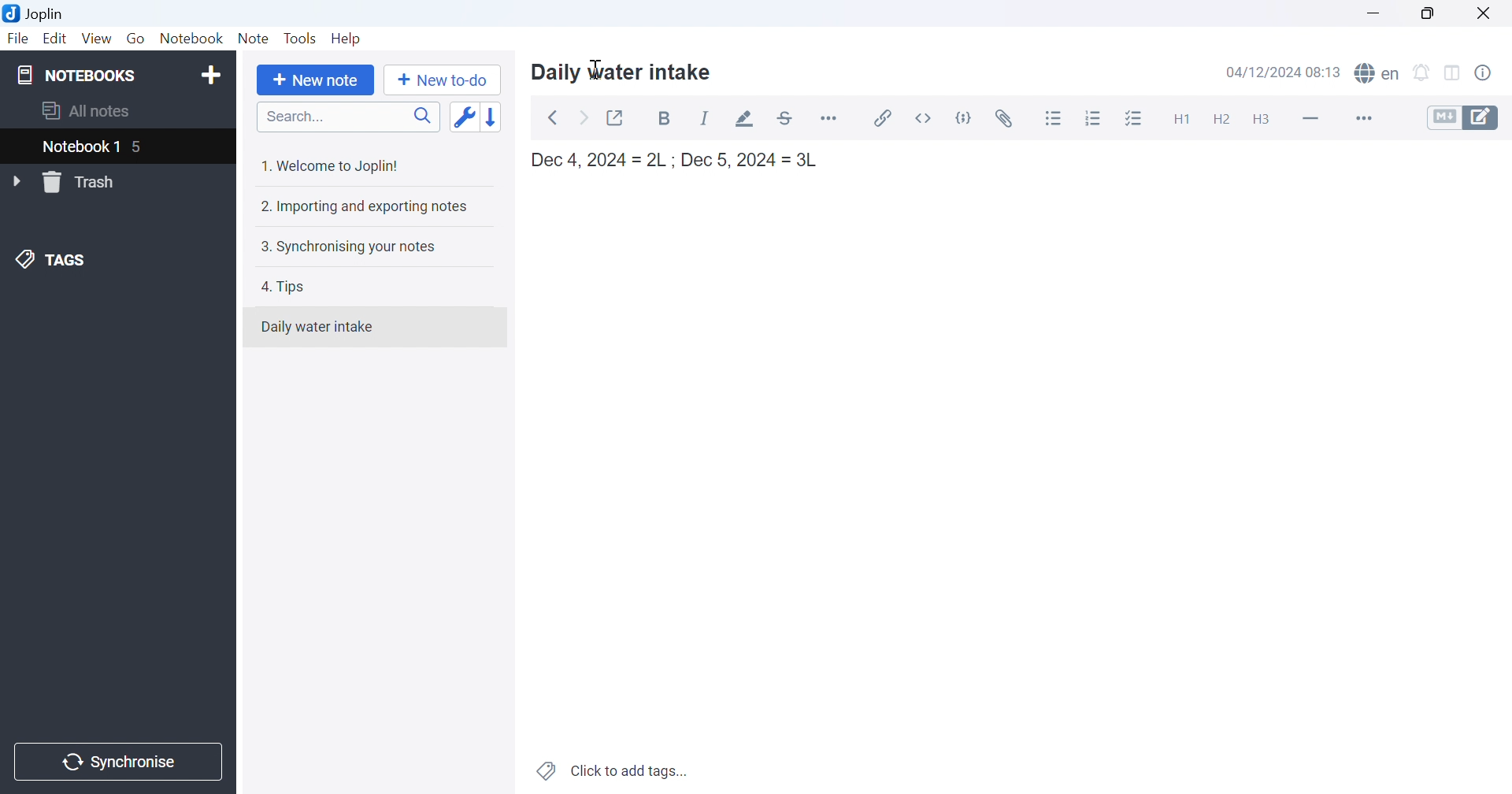 This screenshot has width=1512, height=794. What do you see at coordinates (35, 16) in the screenshot?
I see `Joplin` at bounding box center [35, 16].